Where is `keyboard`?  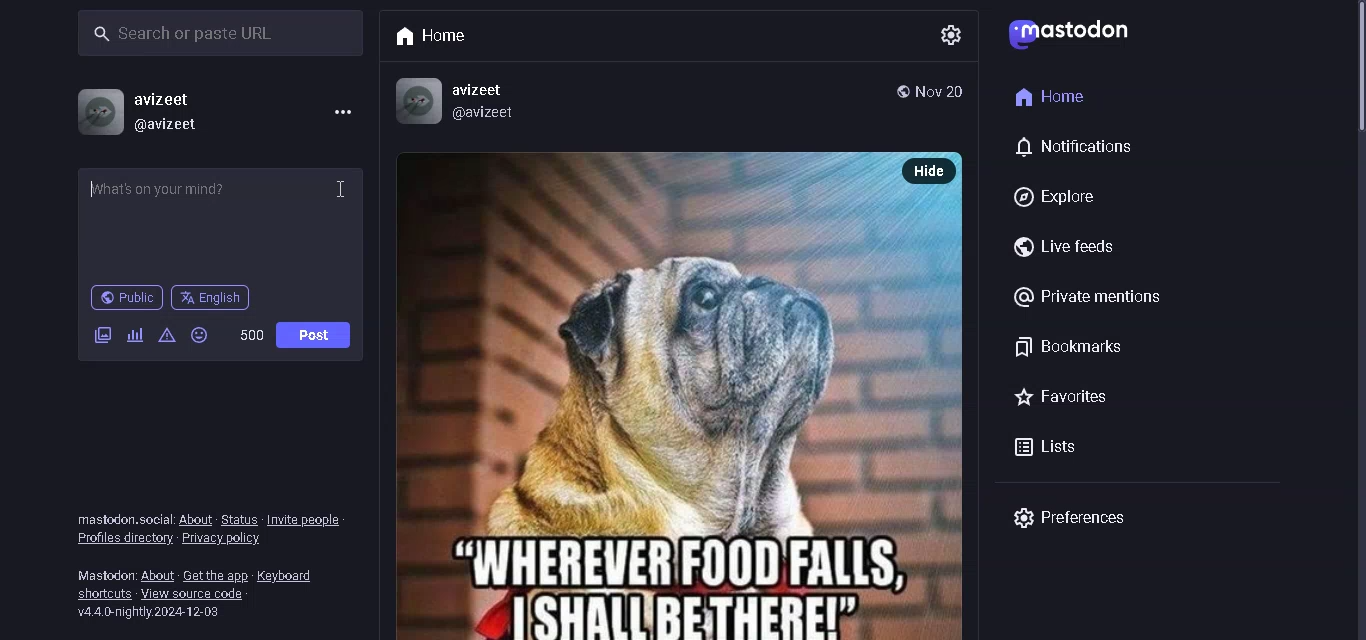 keyboard is located at coordinates (291, 576).